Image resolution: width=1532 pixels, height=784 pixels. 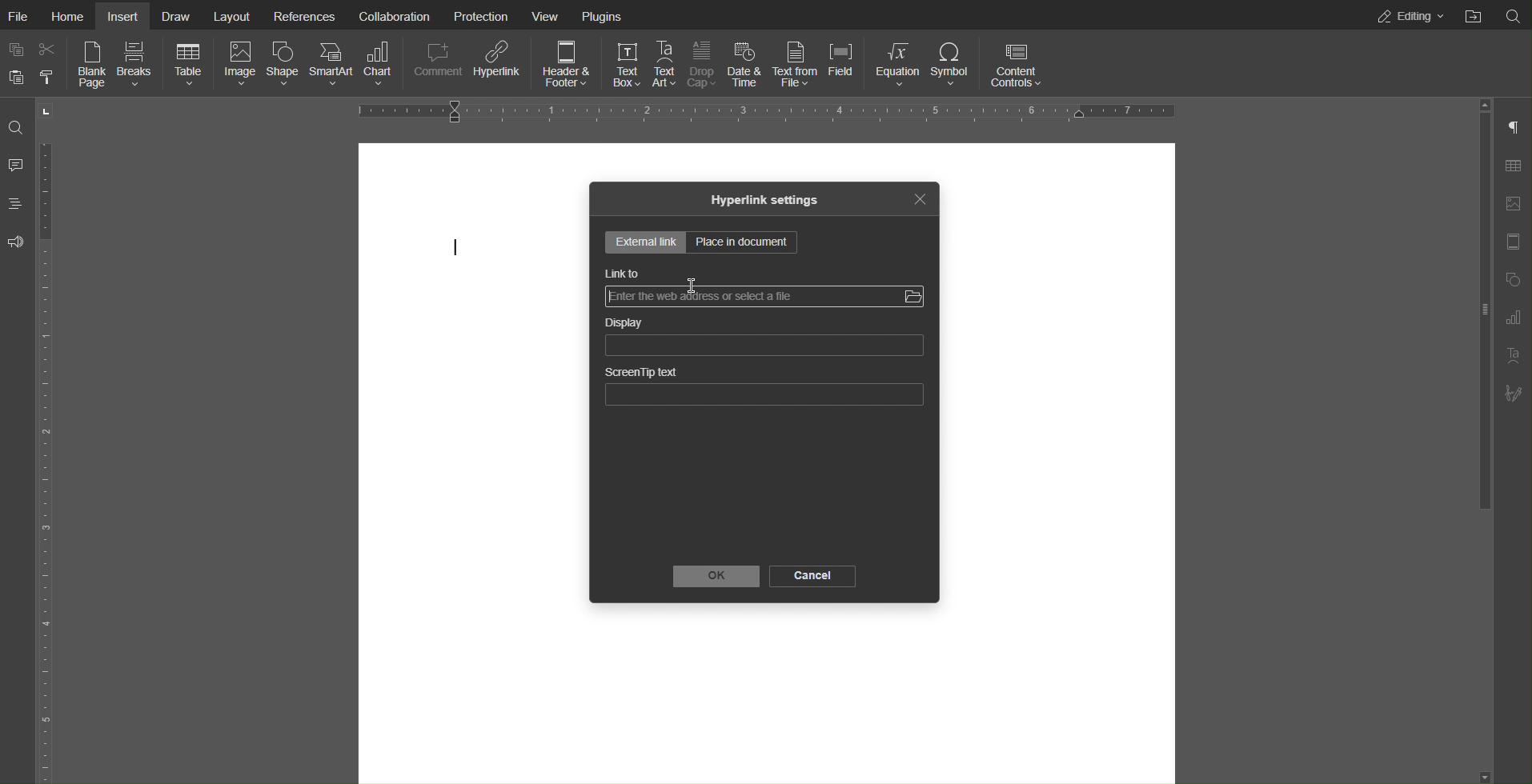 What do you see at coordinates (764, 201) in the screenshot?
I see `Hyperlink settings` at bounding box center [764, 201].